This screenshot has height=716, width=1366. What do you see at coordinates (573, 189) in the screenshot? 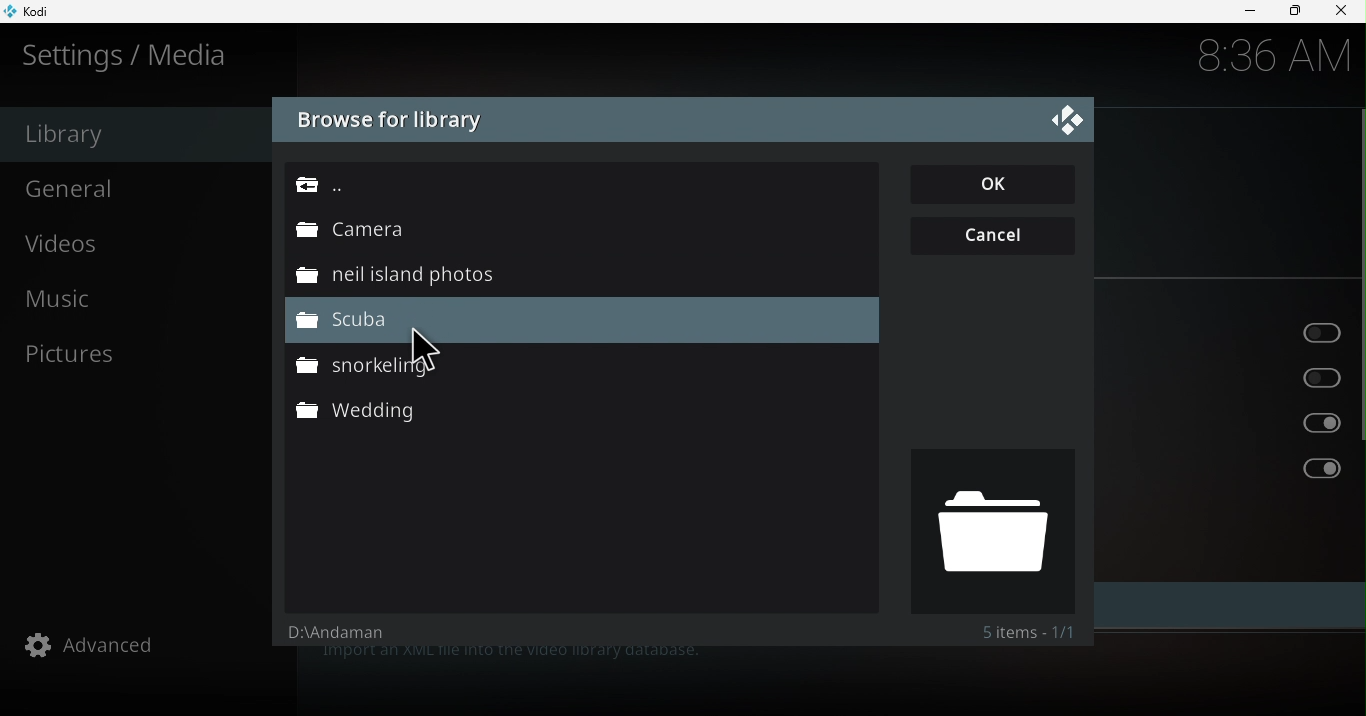
I see `Browse` at bounding box center [573, 189].